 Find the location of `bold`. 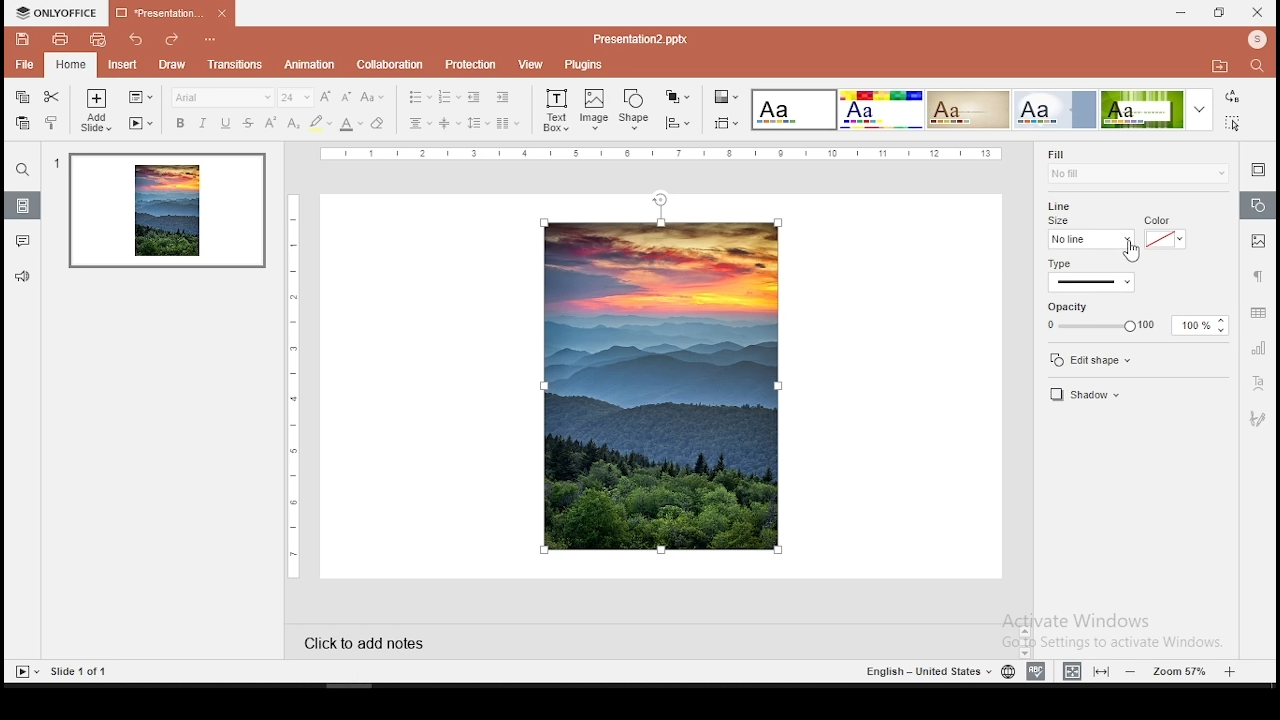

bold is located at coordinates (178, 123).